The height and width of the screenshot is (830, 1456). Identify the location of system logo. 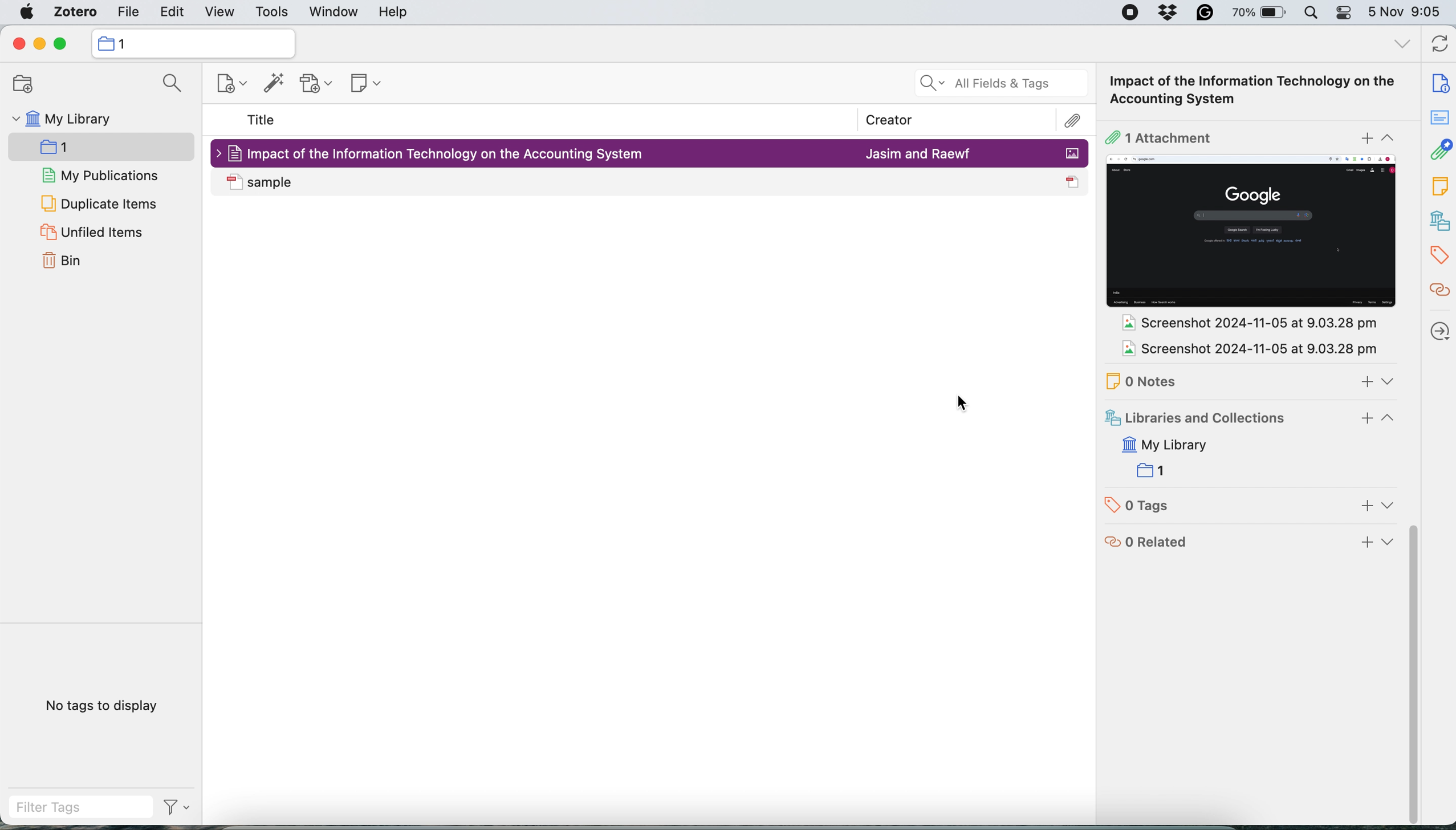
(27, 12).